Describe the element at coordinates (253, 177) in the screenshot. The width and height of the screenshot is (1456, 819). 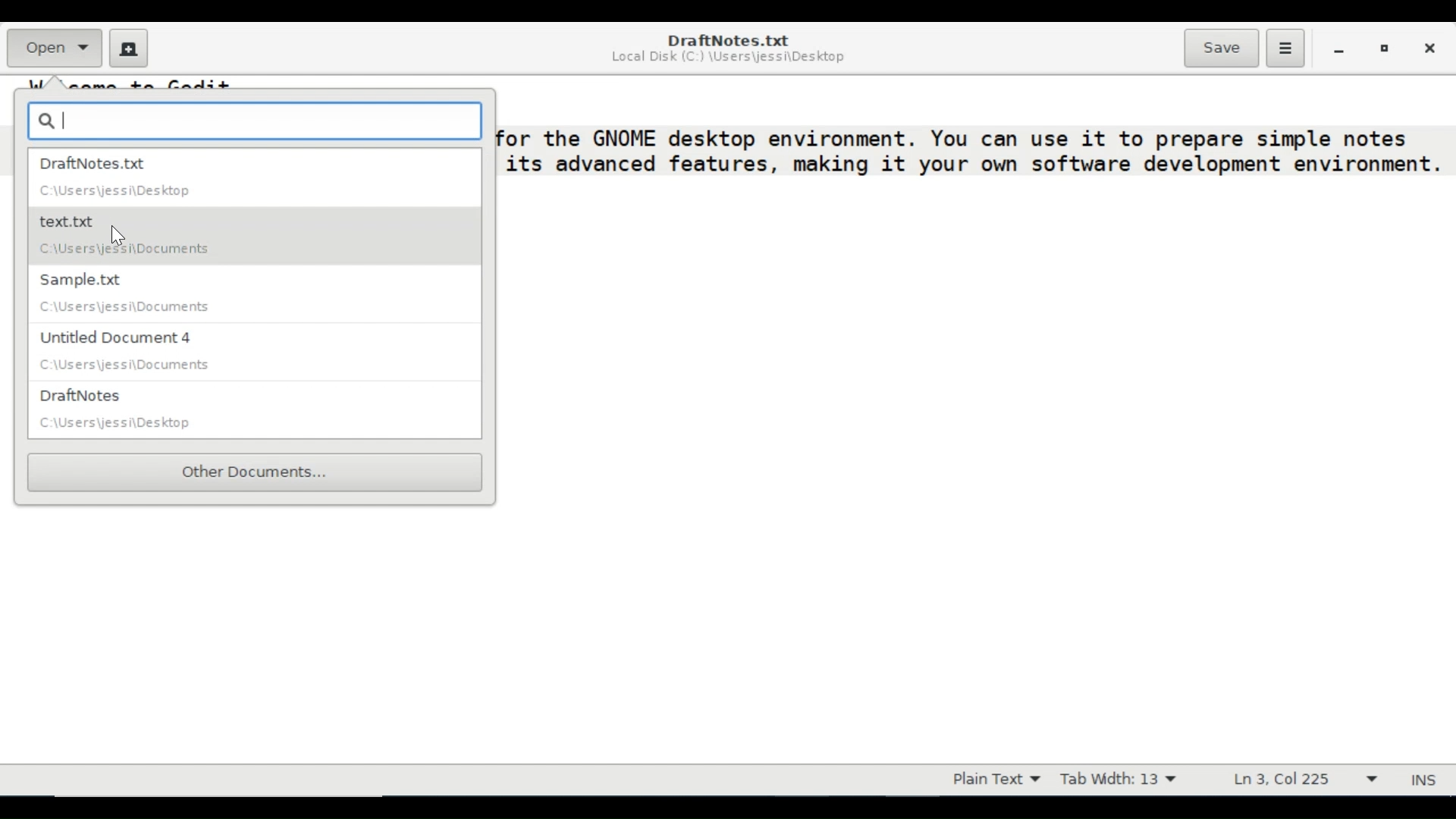
I see `DraftNotes` at that location.